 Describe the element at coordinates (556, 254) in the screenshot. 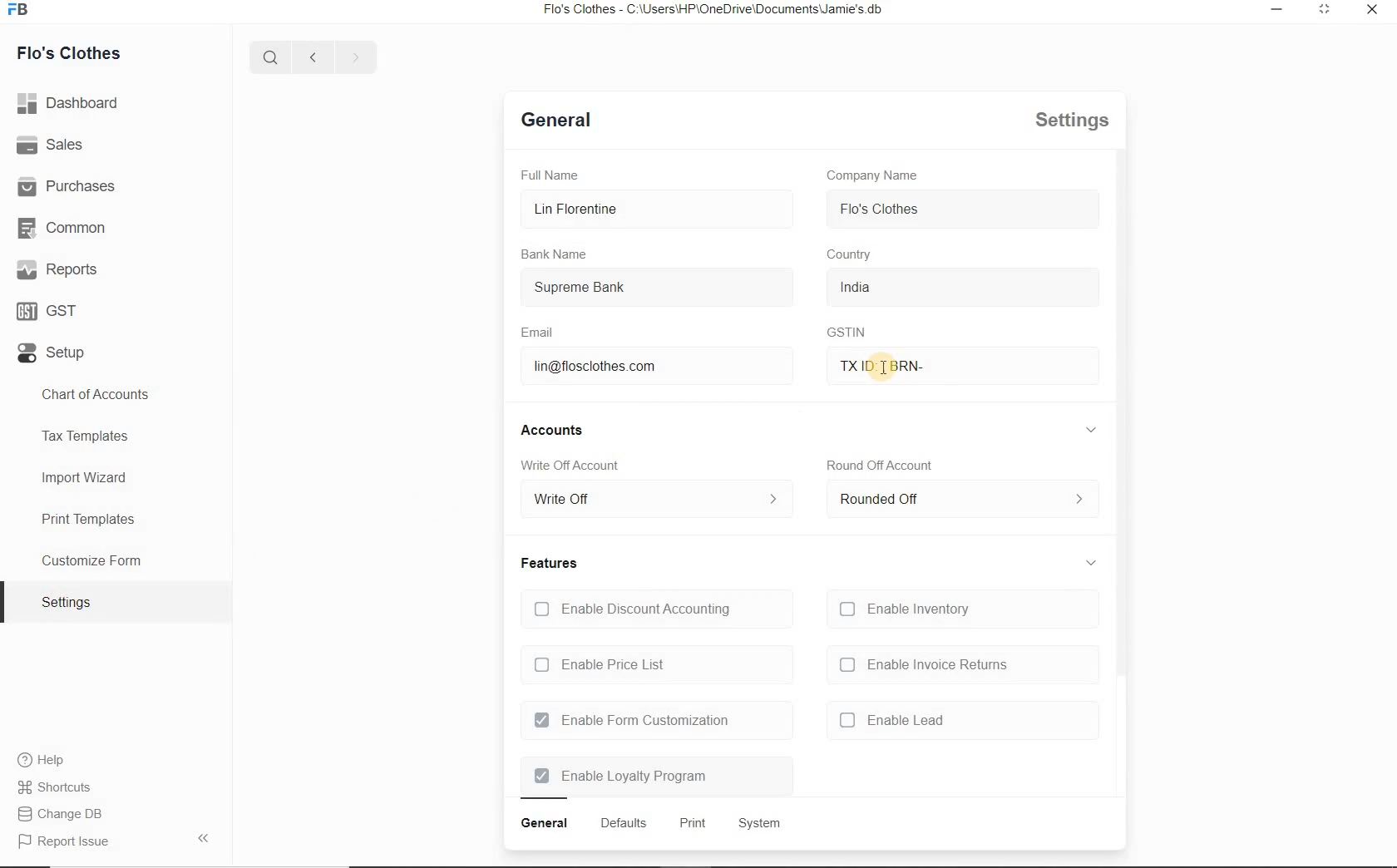

I see `Bank Name` at that location.